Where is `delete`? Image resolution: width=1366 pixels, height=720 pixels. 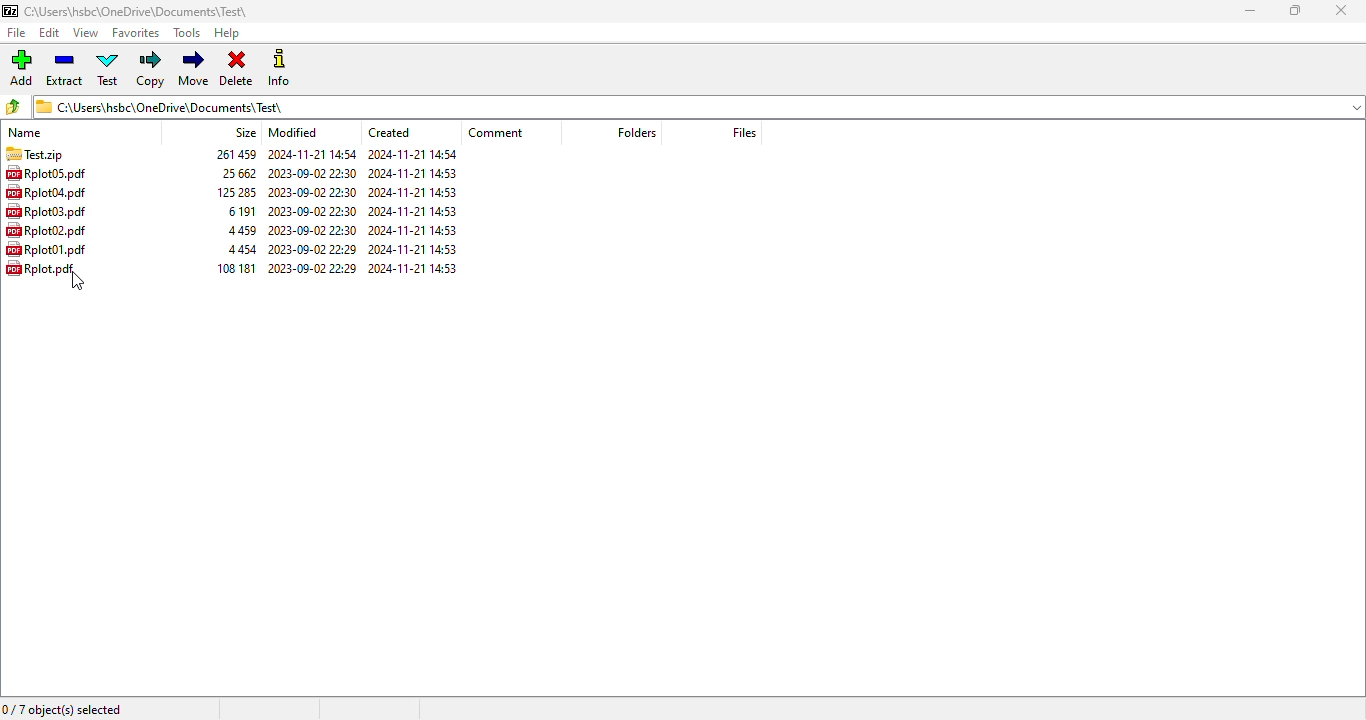 delete is located at coordinates (236, 69).